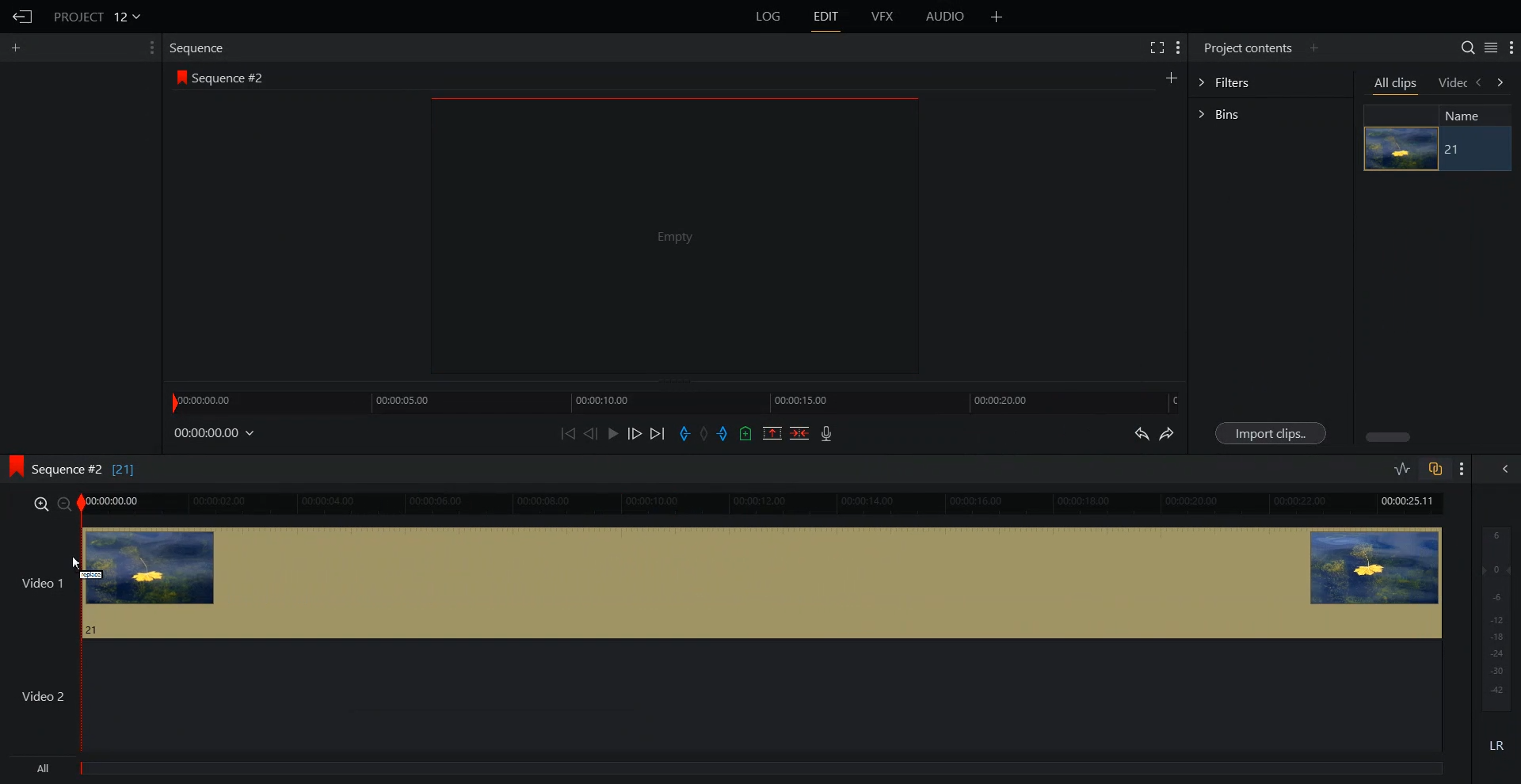 The image size is (1521, 784). I want to click on Sequence, so click(201, 48).